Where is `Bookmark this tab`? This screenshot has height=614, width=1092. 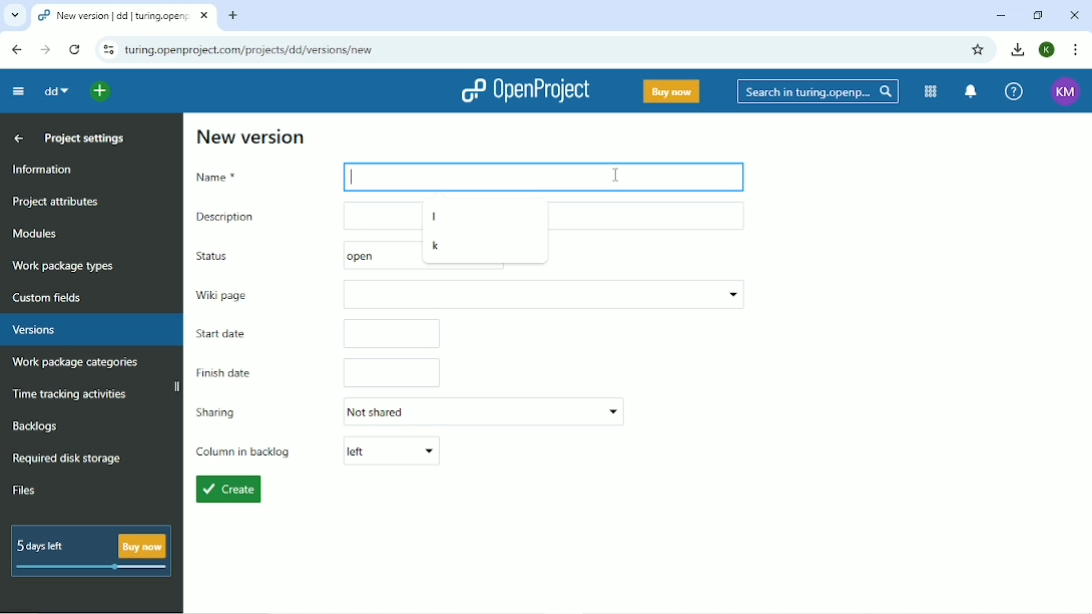
Bookmark this tab is located at coordinates (977, 50).